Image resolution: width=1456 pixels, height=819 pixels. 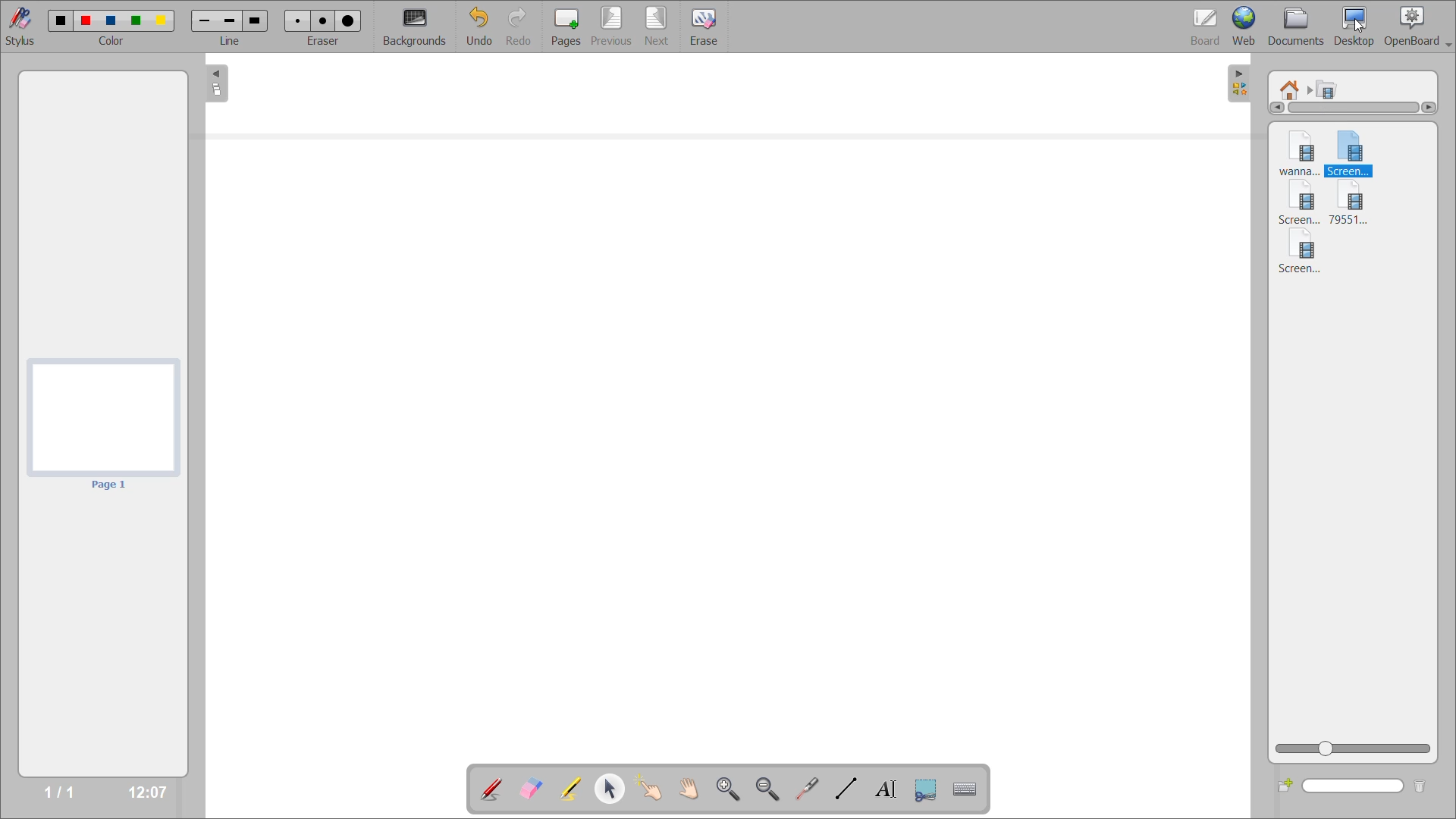 What do you see at coordinates (705, 28) in the screenshot?
I see `erase` at bounding box center [705, 28].